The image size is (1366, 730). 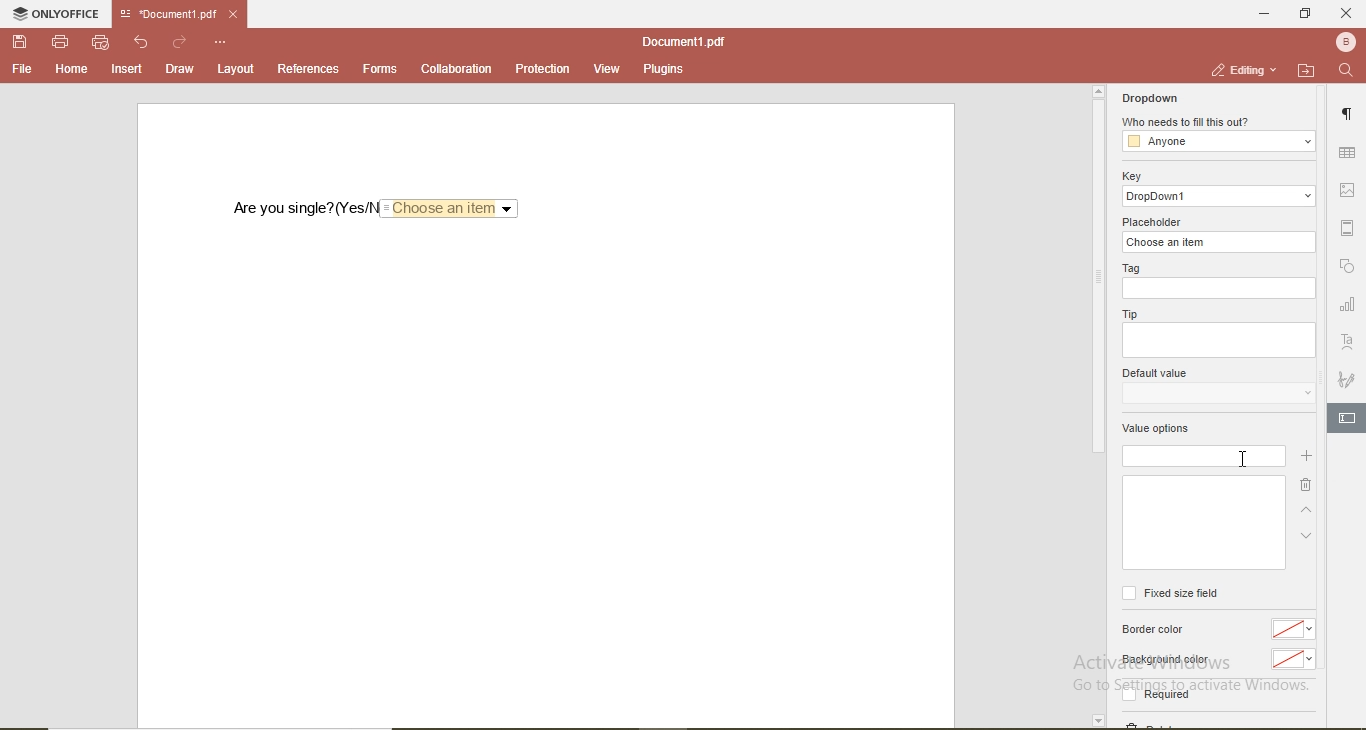 I want to click on no color, so click(x=1291, y=659).